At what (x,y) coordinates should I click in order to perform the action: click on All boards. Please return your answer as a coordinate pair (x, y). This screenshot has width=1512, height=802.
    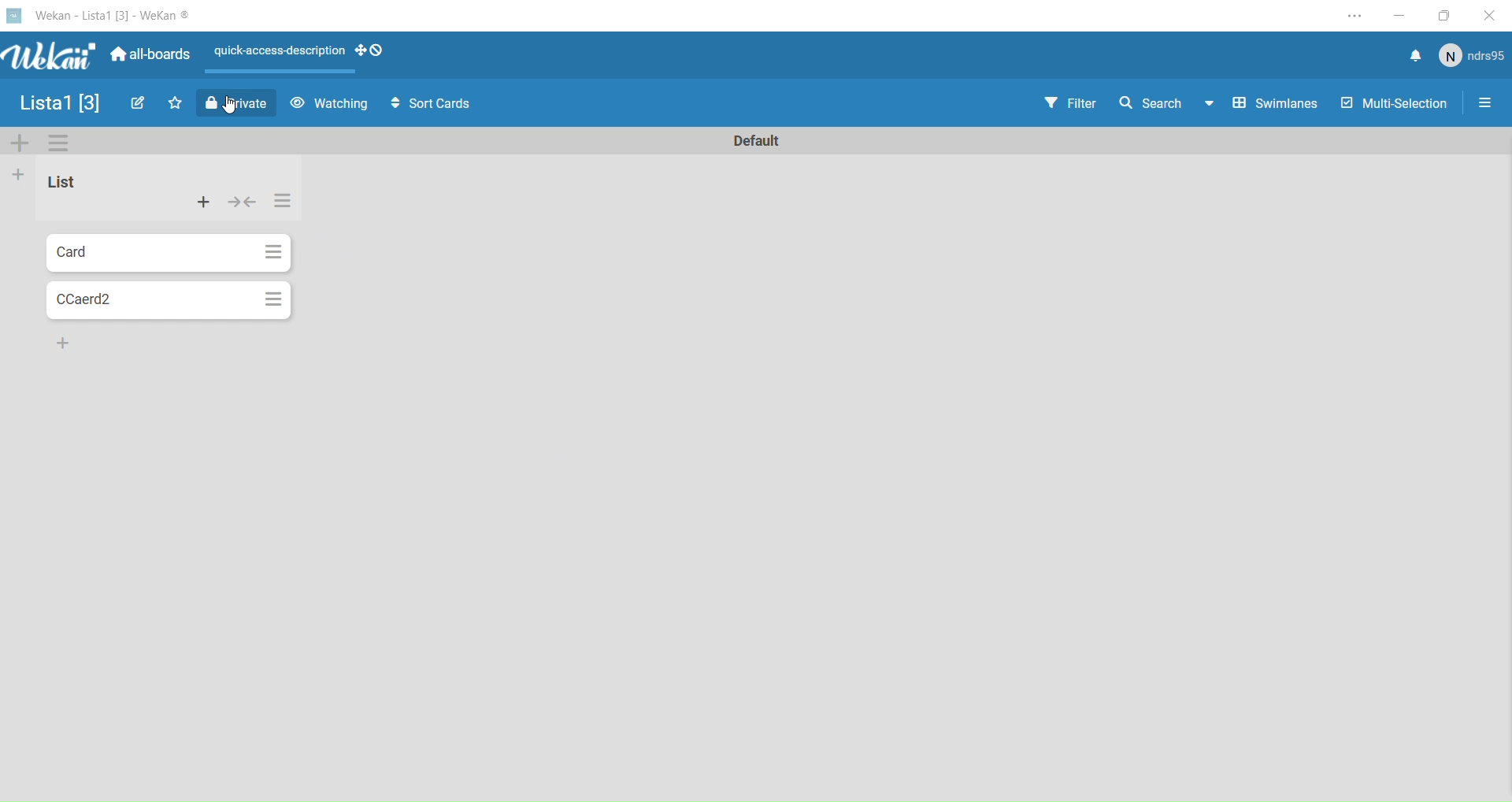
    Looking at the image, I should click on (148, 55).